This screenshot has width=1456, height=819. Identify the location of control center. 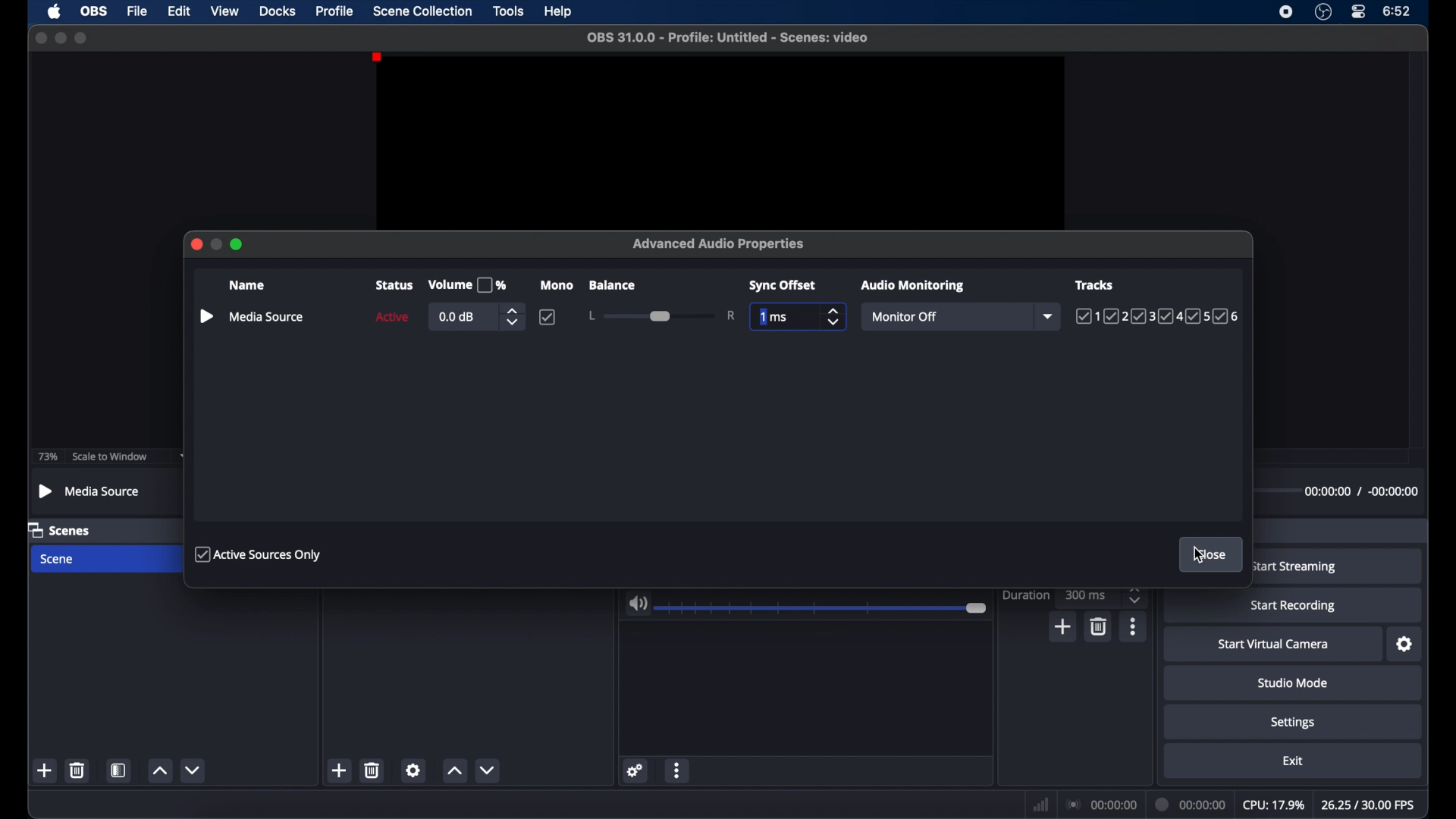
(1357, 12).